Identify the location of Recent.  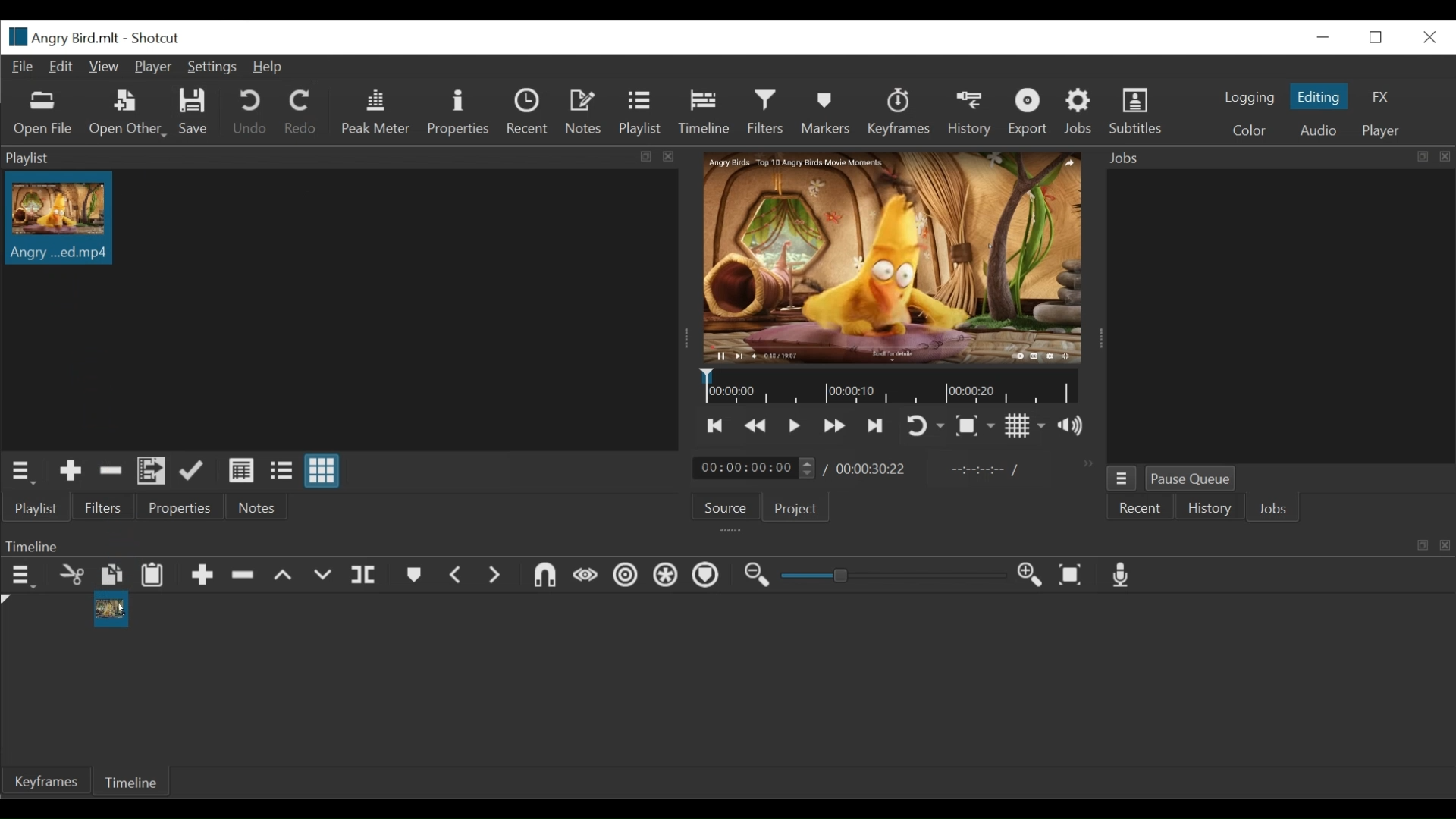
(529, 113).